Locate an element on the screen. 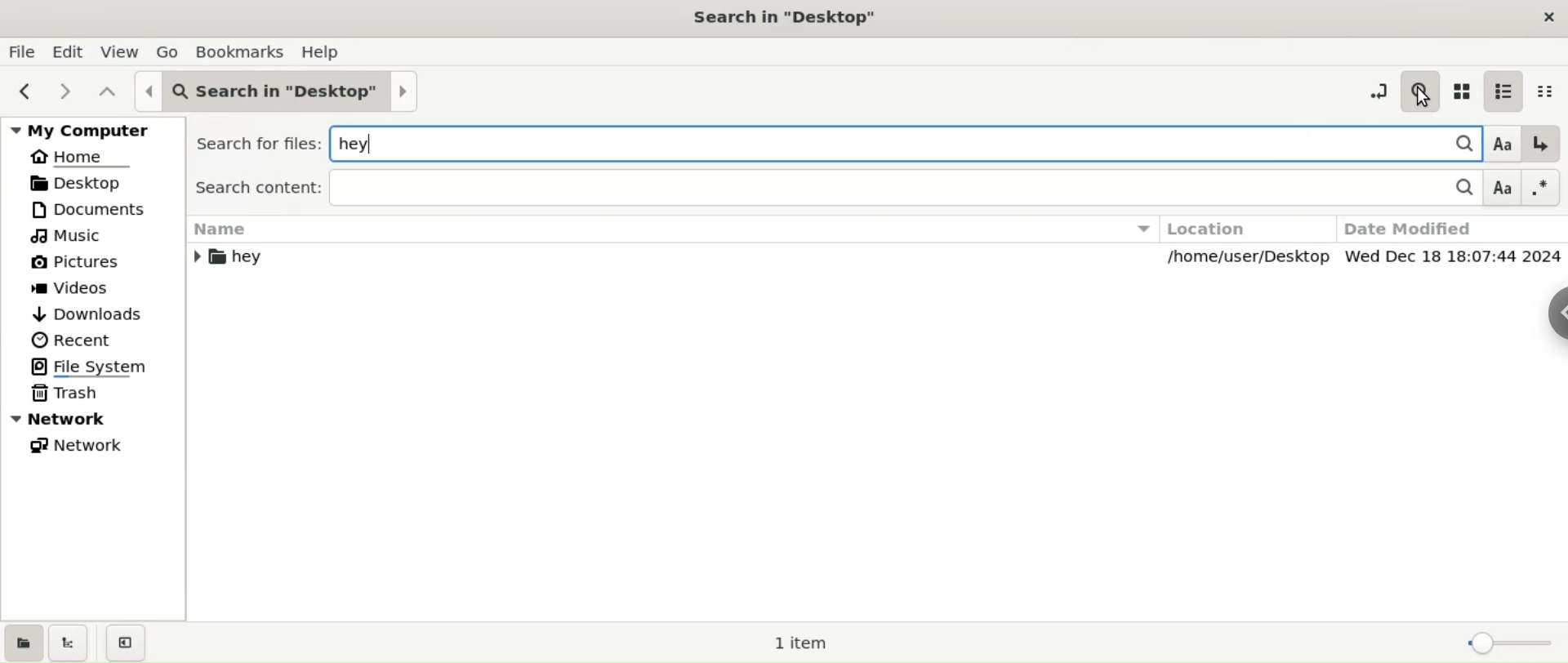 The width and height of the screenshot is (1568, 663). search  is located at coordinates (1421, 90).